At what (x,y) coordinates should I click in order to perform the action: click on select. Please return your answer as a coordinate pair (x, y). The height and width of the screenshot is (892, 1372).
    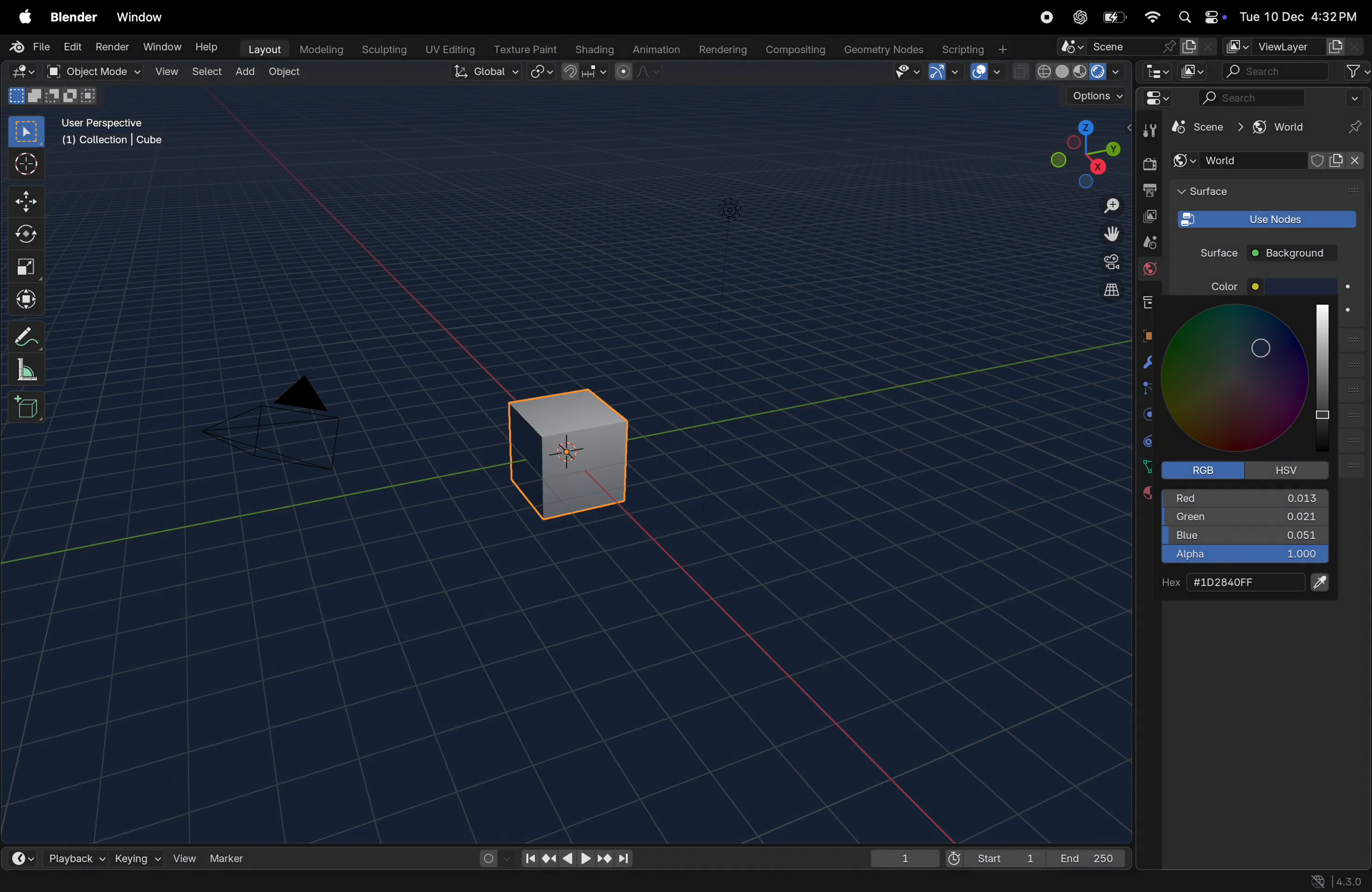
    Looking at the image, I should click on (28, 132).